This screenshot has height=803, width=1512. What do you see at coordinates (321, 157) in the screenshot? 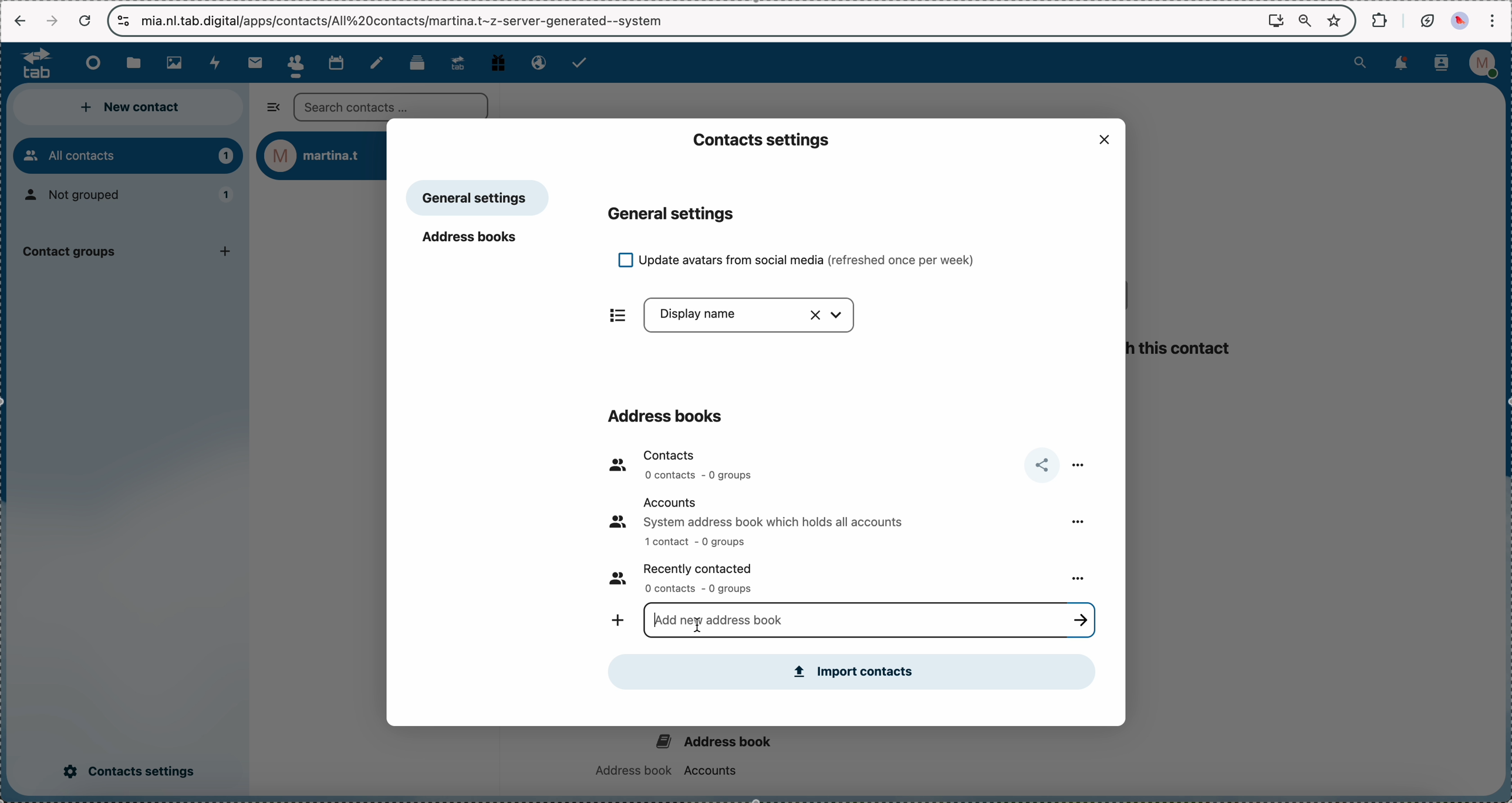
I see `user` at bounding box center [321, 157].